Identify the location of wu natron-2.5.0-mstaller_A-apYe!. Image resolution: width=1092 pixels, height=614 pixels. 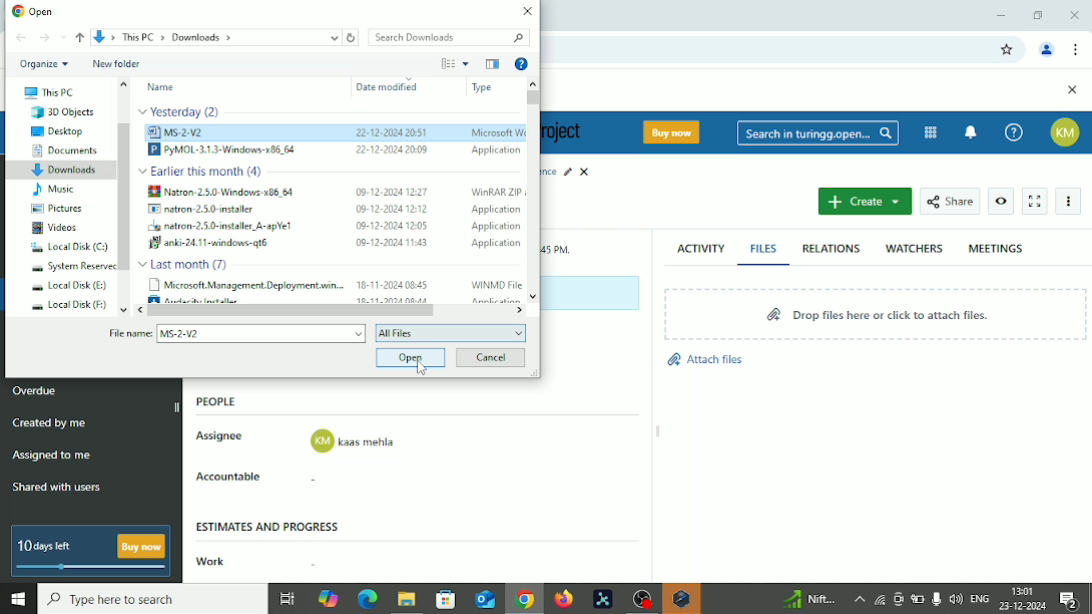
(225, 227).